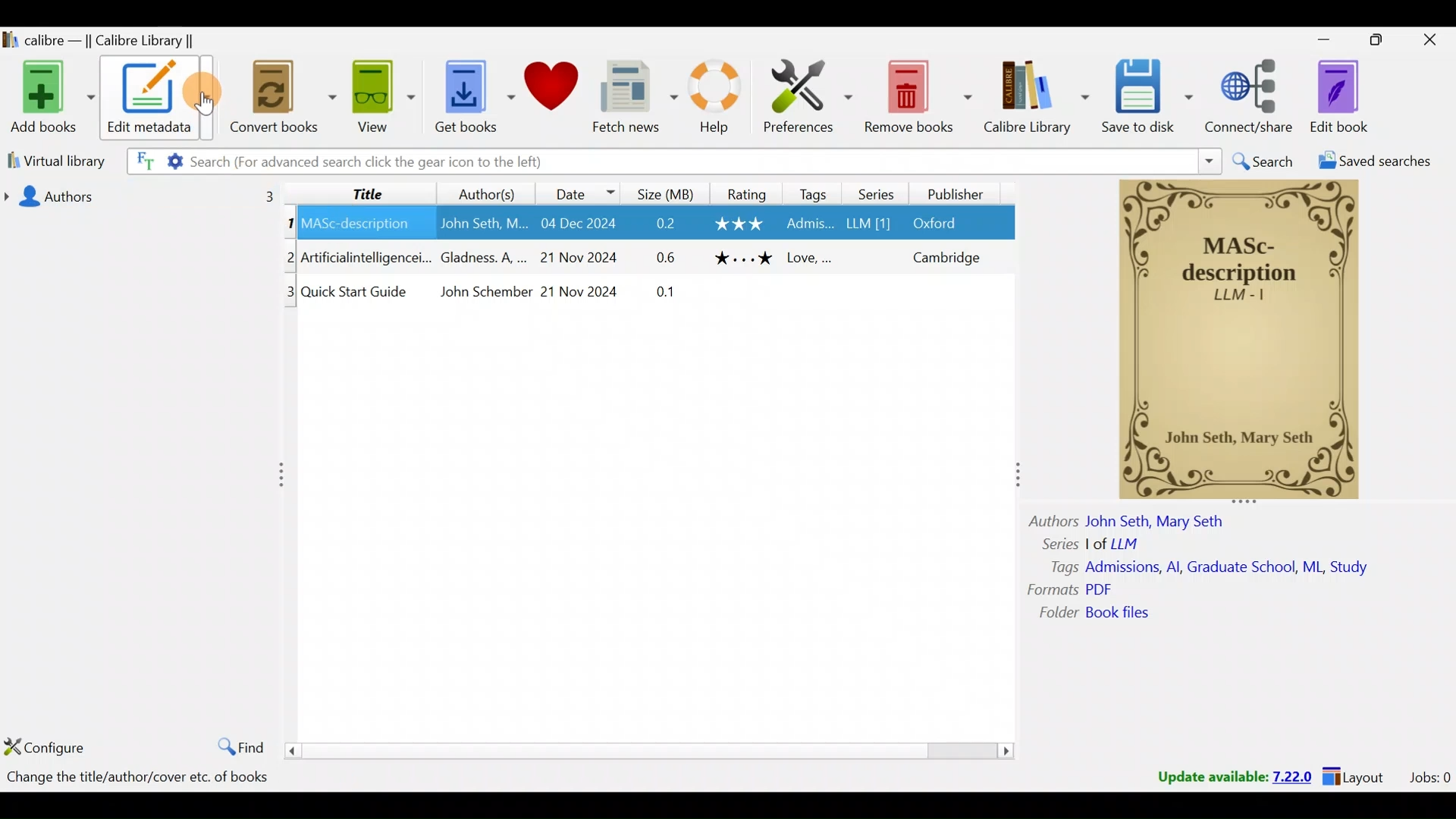  I want to click on , so click(587, 224).